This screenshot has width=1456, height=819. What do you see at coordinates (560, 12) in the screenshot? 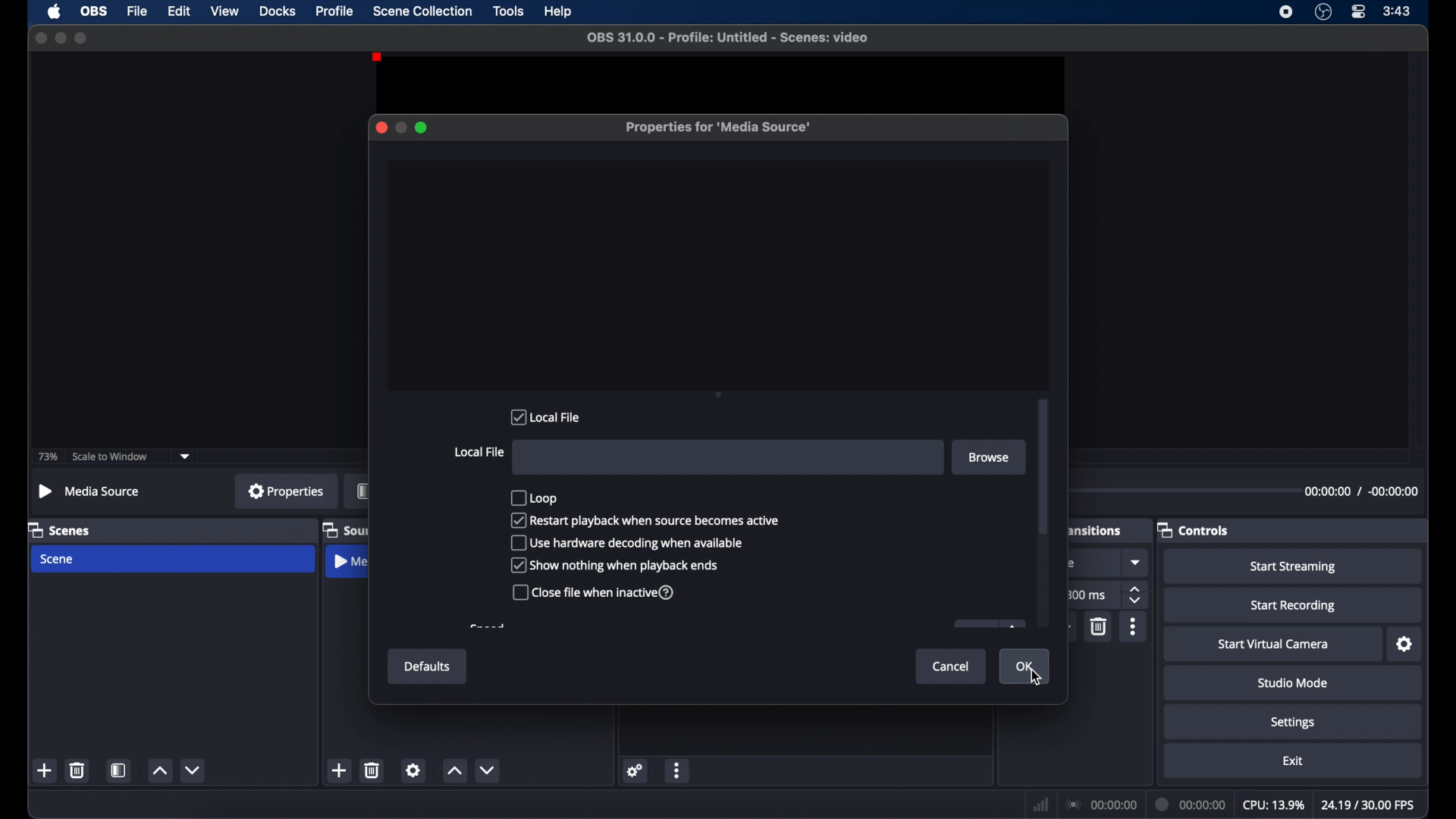
I see `help` at bounding box center [560, 12].